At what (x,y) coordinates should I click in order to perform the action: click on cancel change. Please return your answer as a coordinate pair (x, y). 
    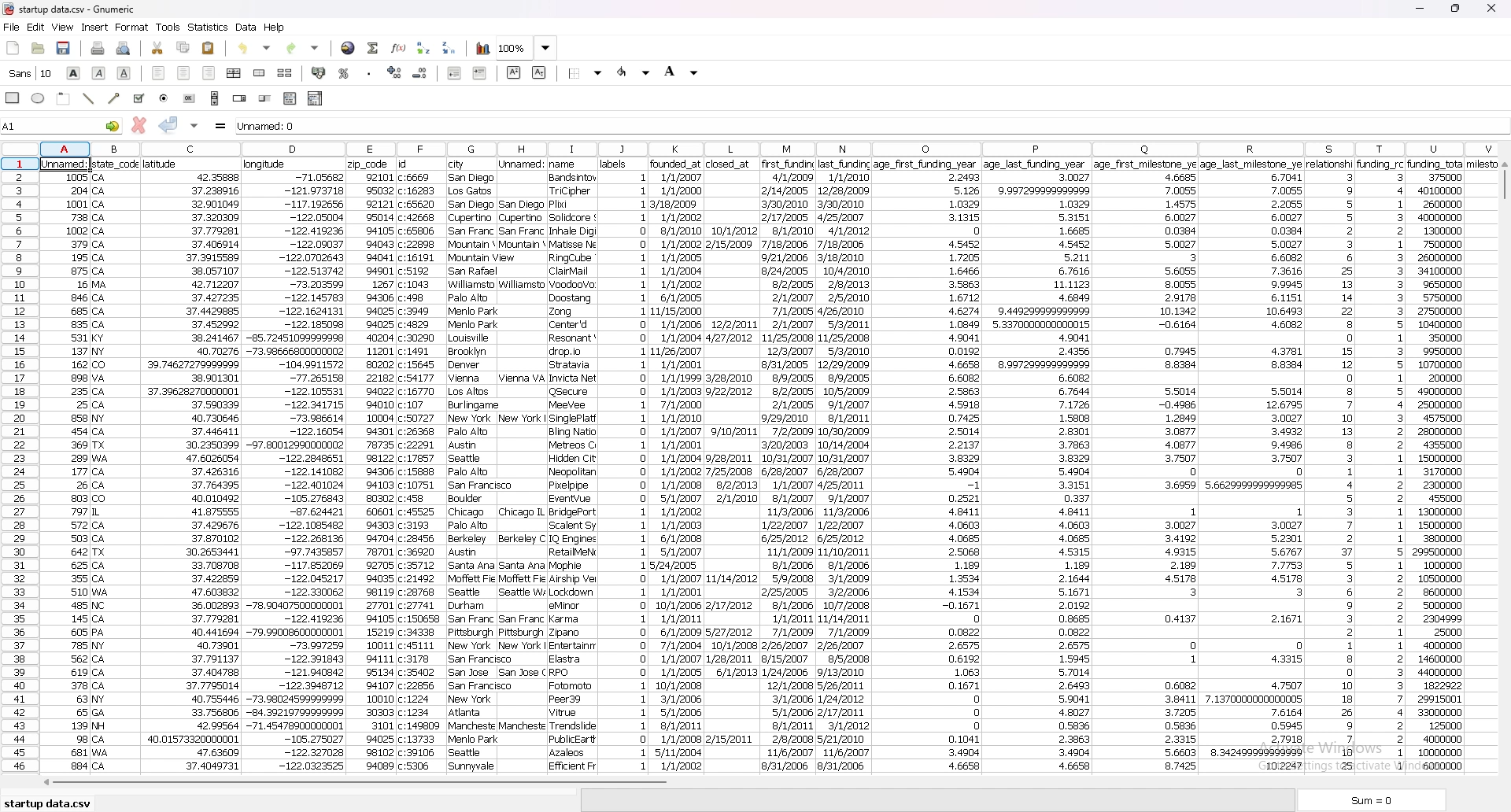
    Looking at the image, I should click on (139, 124).